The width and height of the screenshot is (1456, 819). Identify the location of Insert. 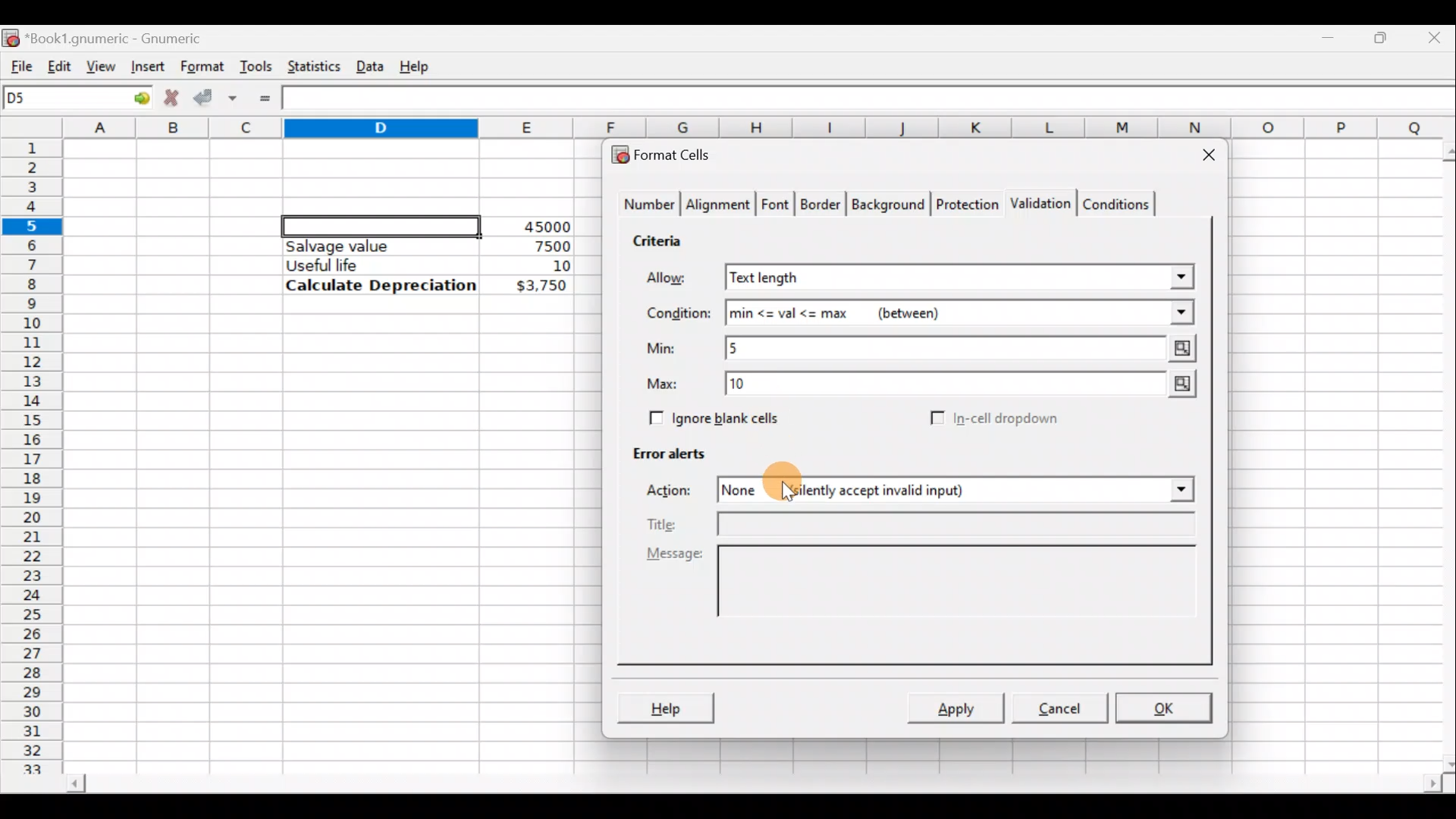
(146, 66).